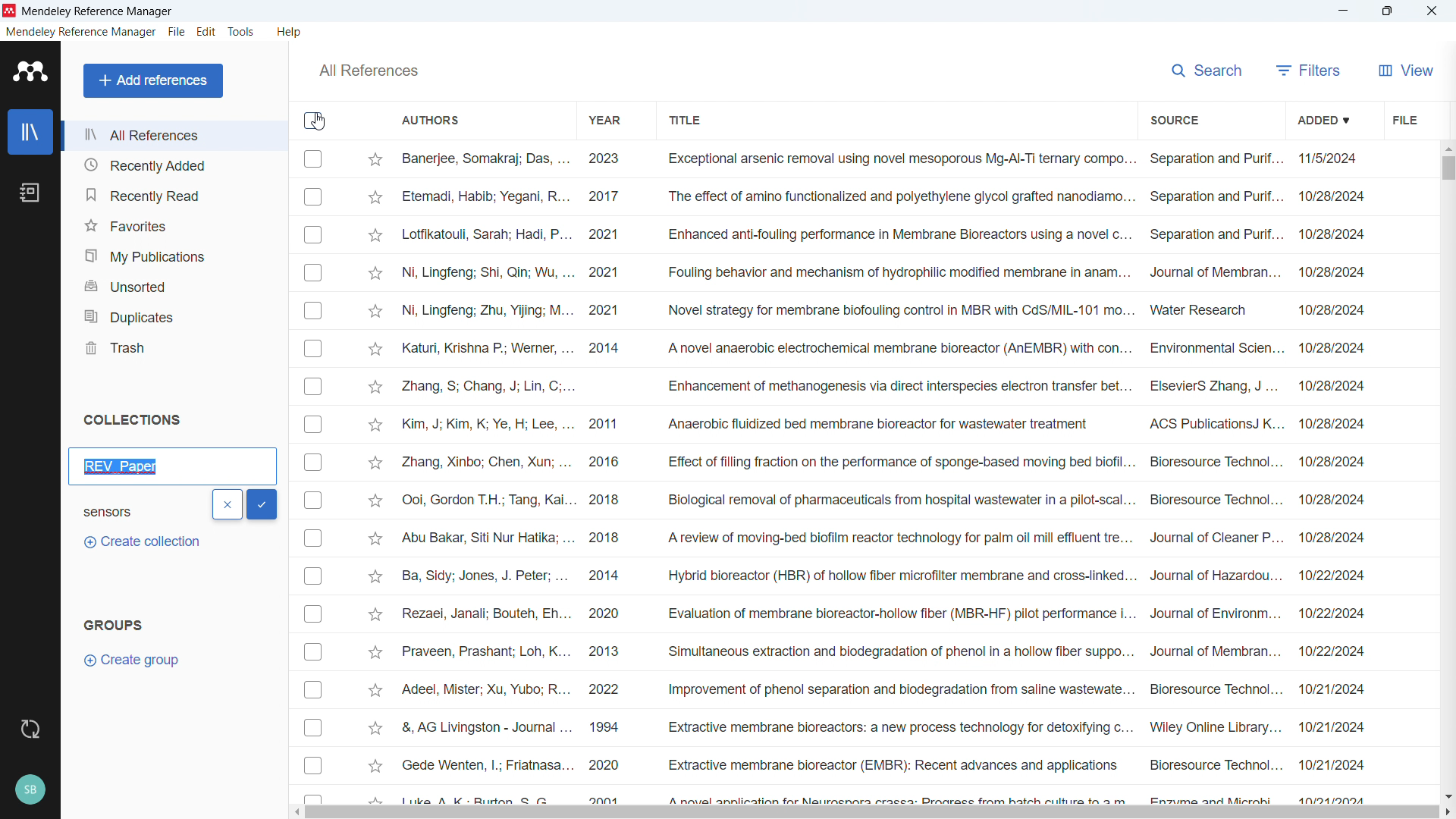 This screenshot has width=1456, height=819. I want to click on Banerjee, Somakraj; Das, ... 2023 Exceptional arsenic removal using novel mesoporous Mg-Al-Ti ternary compo... Separation and Purif... 11/5/2024, so click(884, 159).